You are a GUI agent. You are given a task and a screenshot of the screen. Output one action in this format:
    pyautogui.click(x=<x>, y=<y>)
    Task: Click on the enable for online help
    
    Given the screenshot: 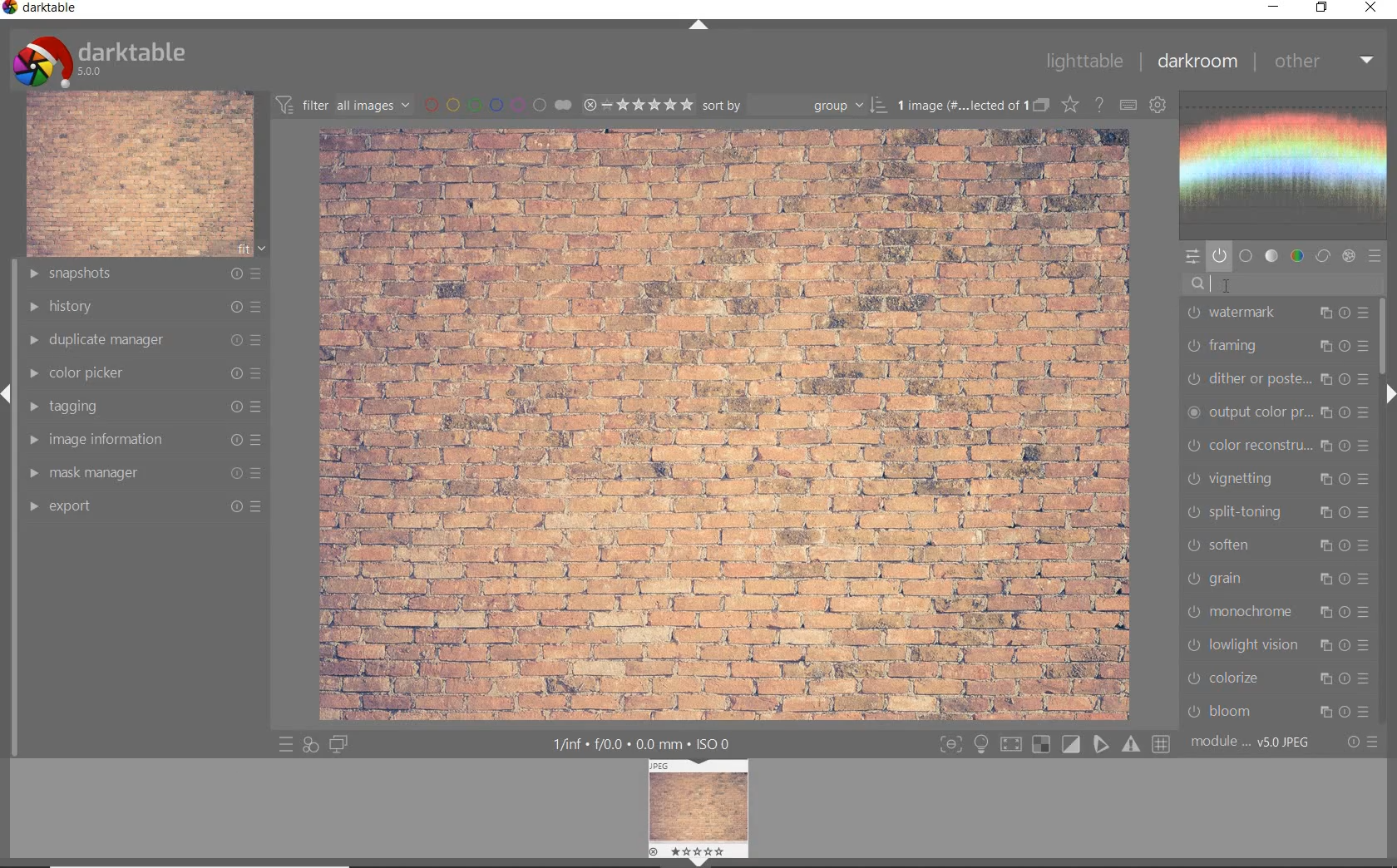 What is the action you would take?
    pyautogui.click(x=1098, y=106)
    